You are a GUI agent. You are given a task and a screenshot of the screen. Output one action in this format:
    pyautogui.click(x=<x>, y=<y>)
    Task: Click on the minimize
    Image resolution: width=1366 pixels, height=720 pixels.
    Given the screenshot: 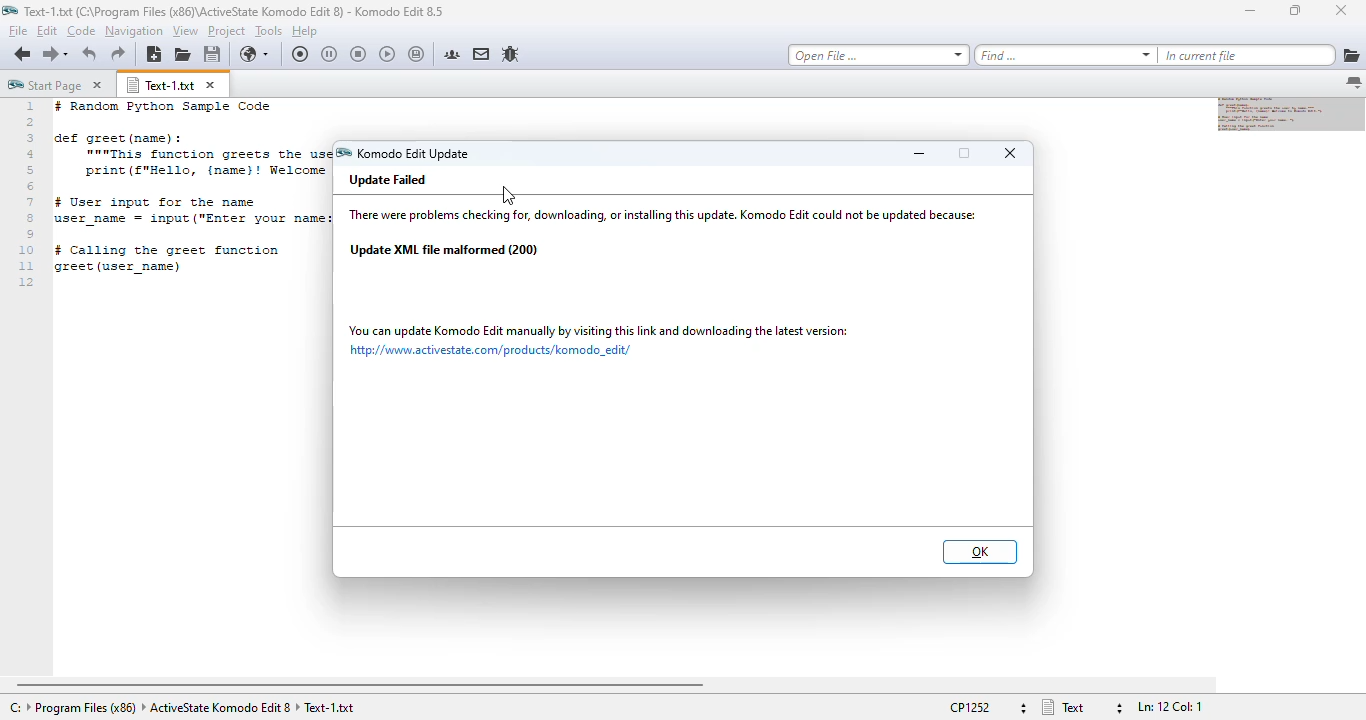 What is the action you would take?
    pyautogui.click(x=1249, y=11)
    